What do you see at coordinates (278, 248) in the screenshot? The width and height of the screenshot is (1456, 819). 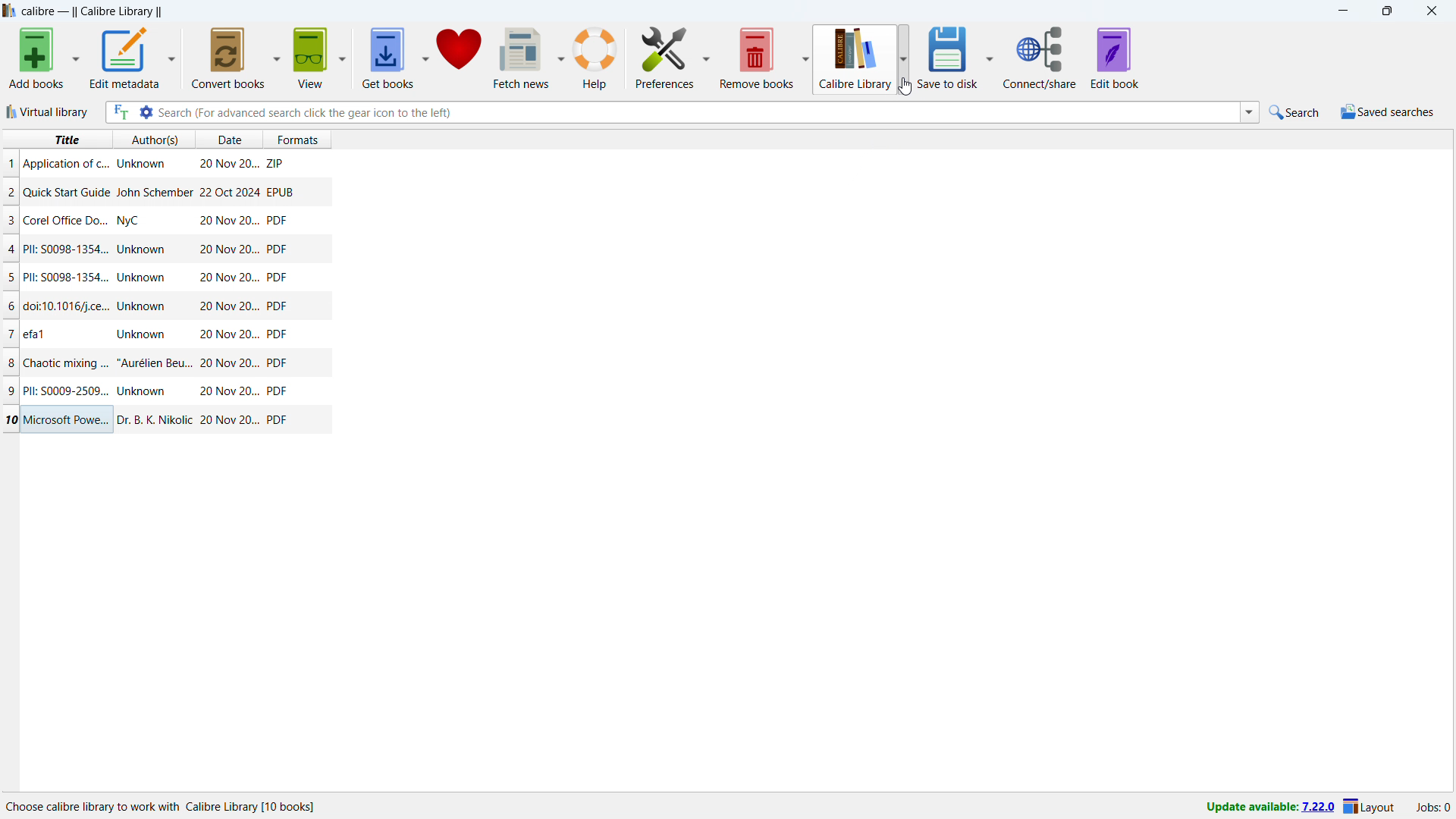 I see `PDF` at bounding box center [278, 248].